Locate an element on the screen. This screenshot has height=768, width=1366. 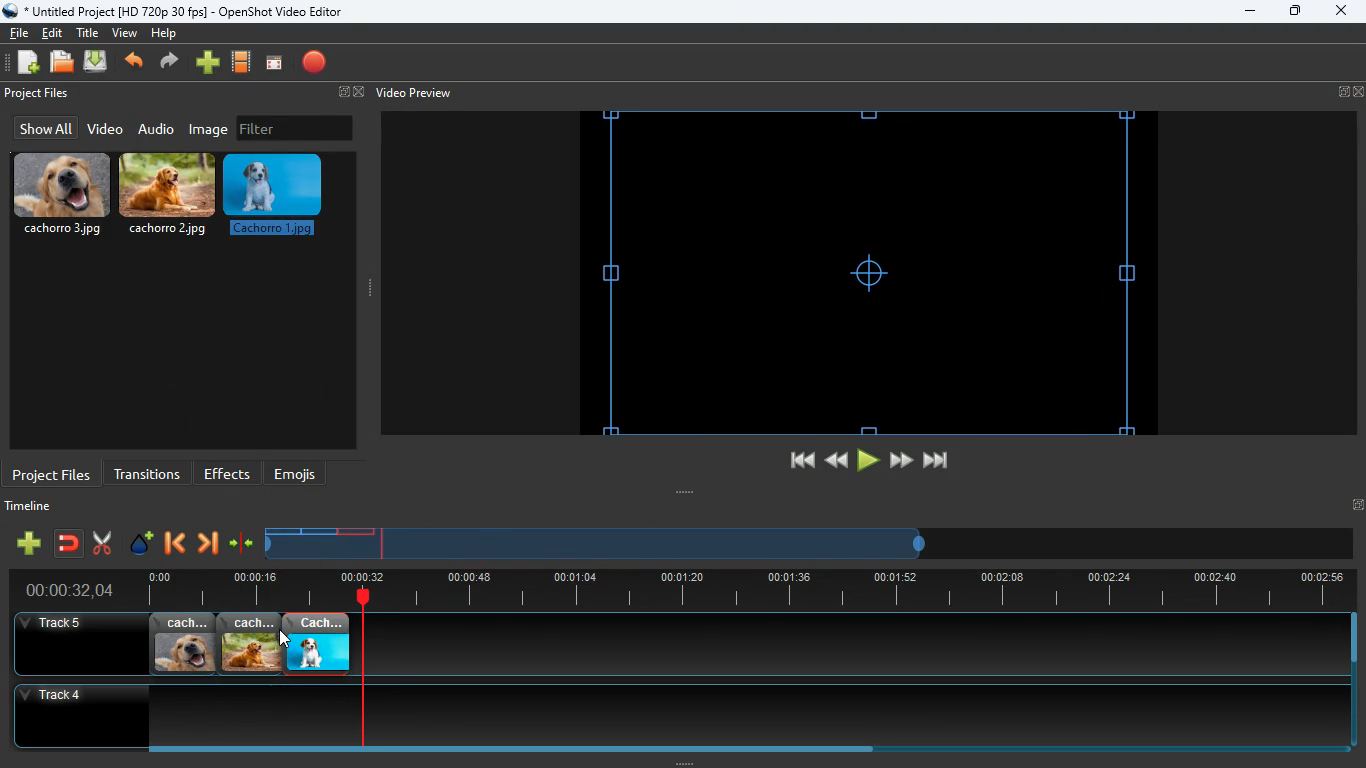
transitions is located at coordinates (147, 472).